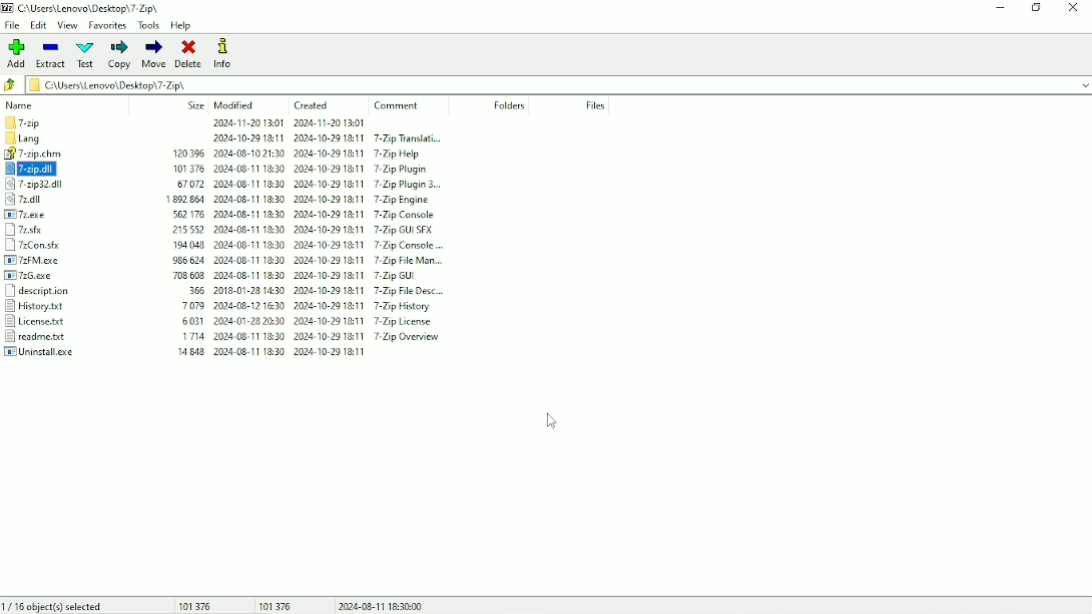  Describe the element at coordinates (308, 124) in the screenshot. I see `` at that location.